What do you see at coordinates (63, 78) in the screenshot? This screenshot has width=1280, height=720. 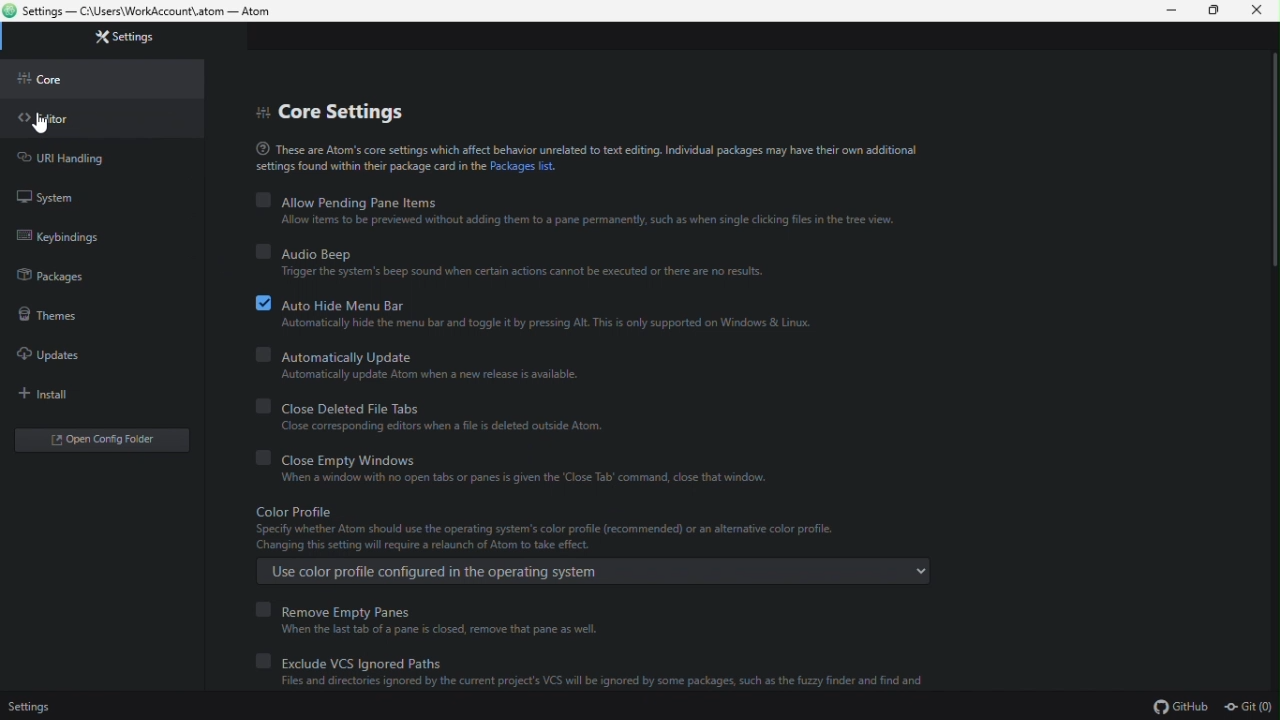 I see `Core ` at bounding box center [63, 78].